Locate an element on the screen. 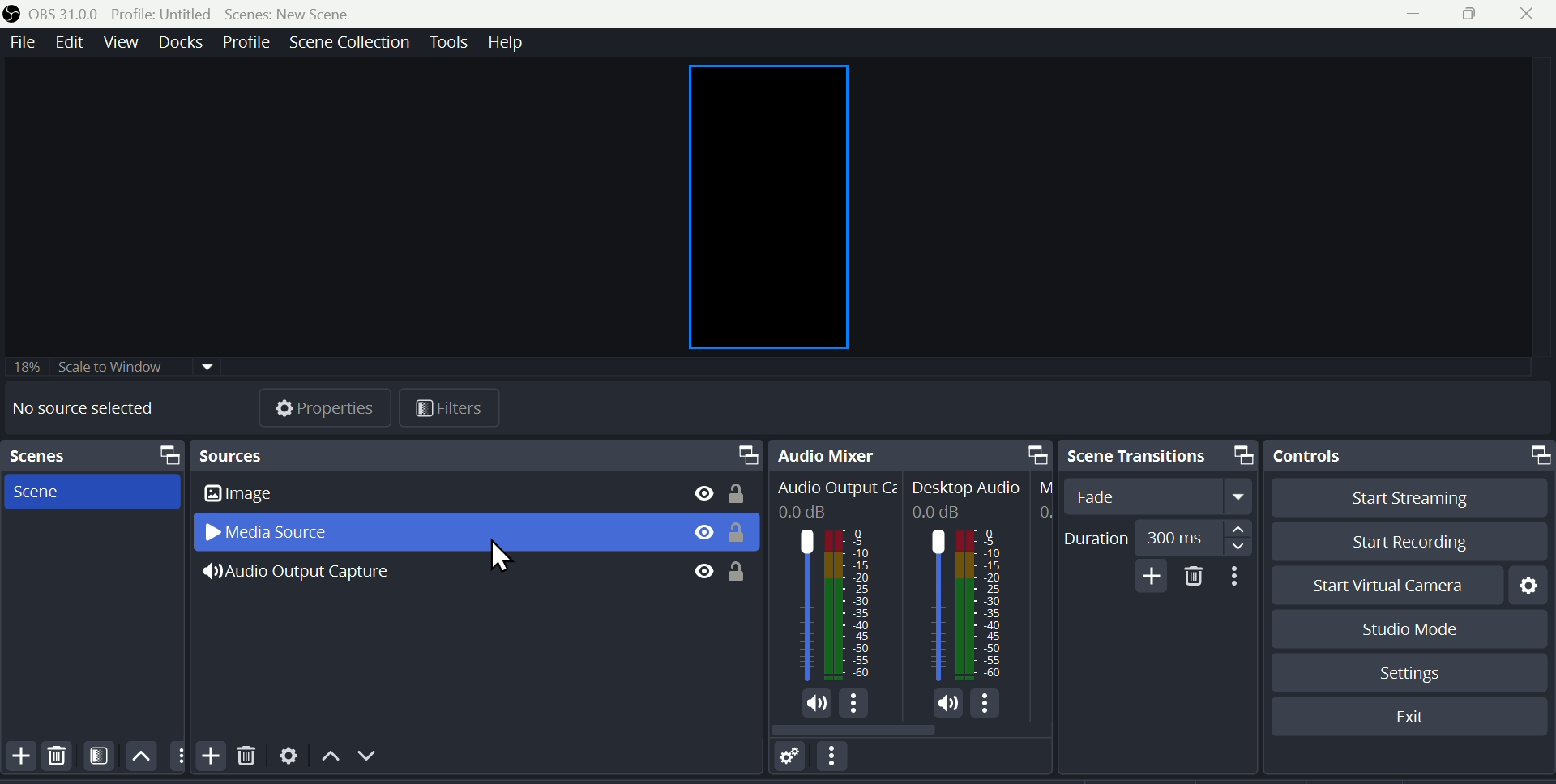 The height and width of the screenshot is (784, 1556). Properties is located at coordinates (325, 404).